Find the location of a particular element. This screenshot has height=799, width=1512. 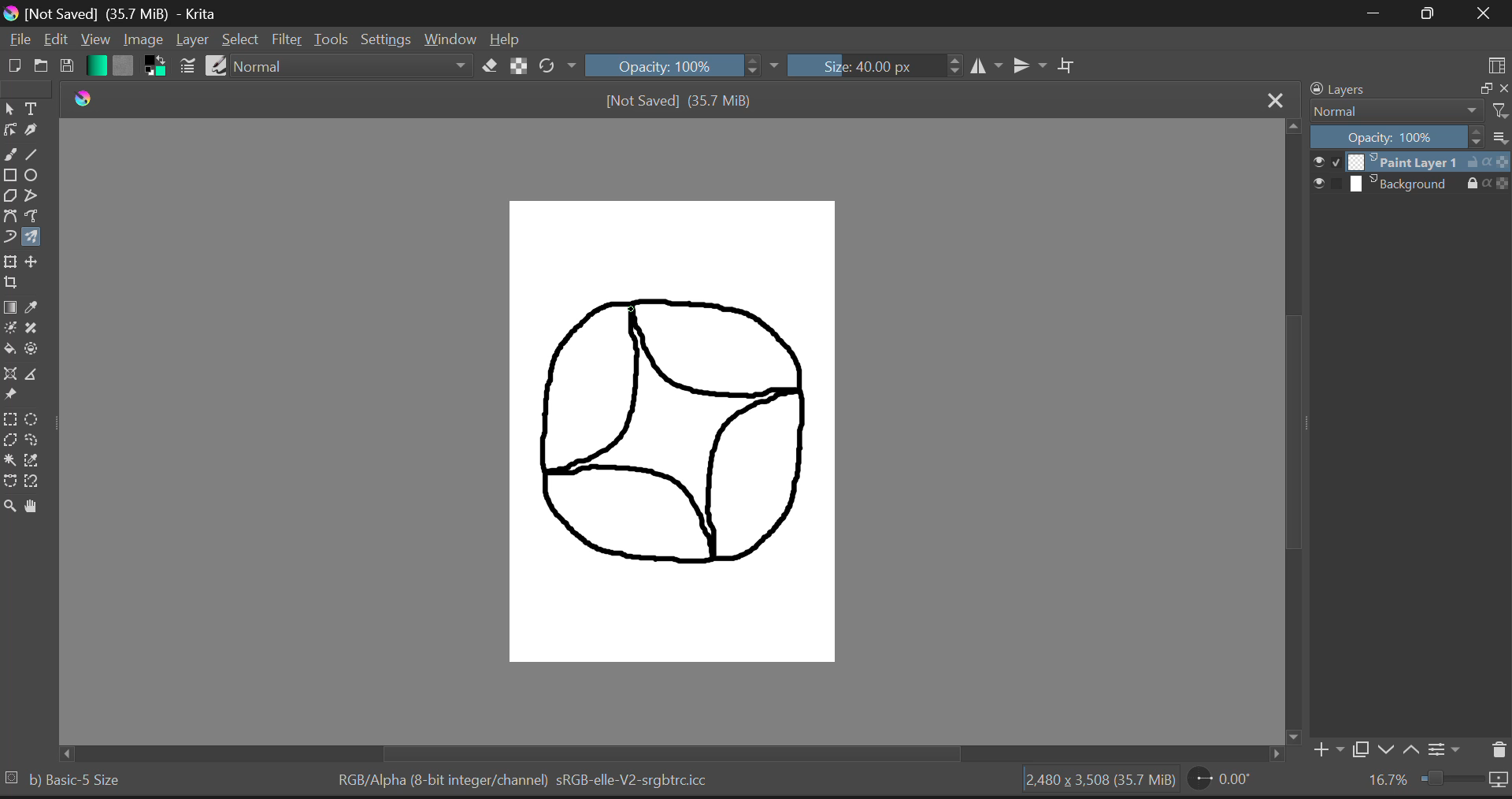

Bezier Curve Selection is located at coordinates (9, 482).